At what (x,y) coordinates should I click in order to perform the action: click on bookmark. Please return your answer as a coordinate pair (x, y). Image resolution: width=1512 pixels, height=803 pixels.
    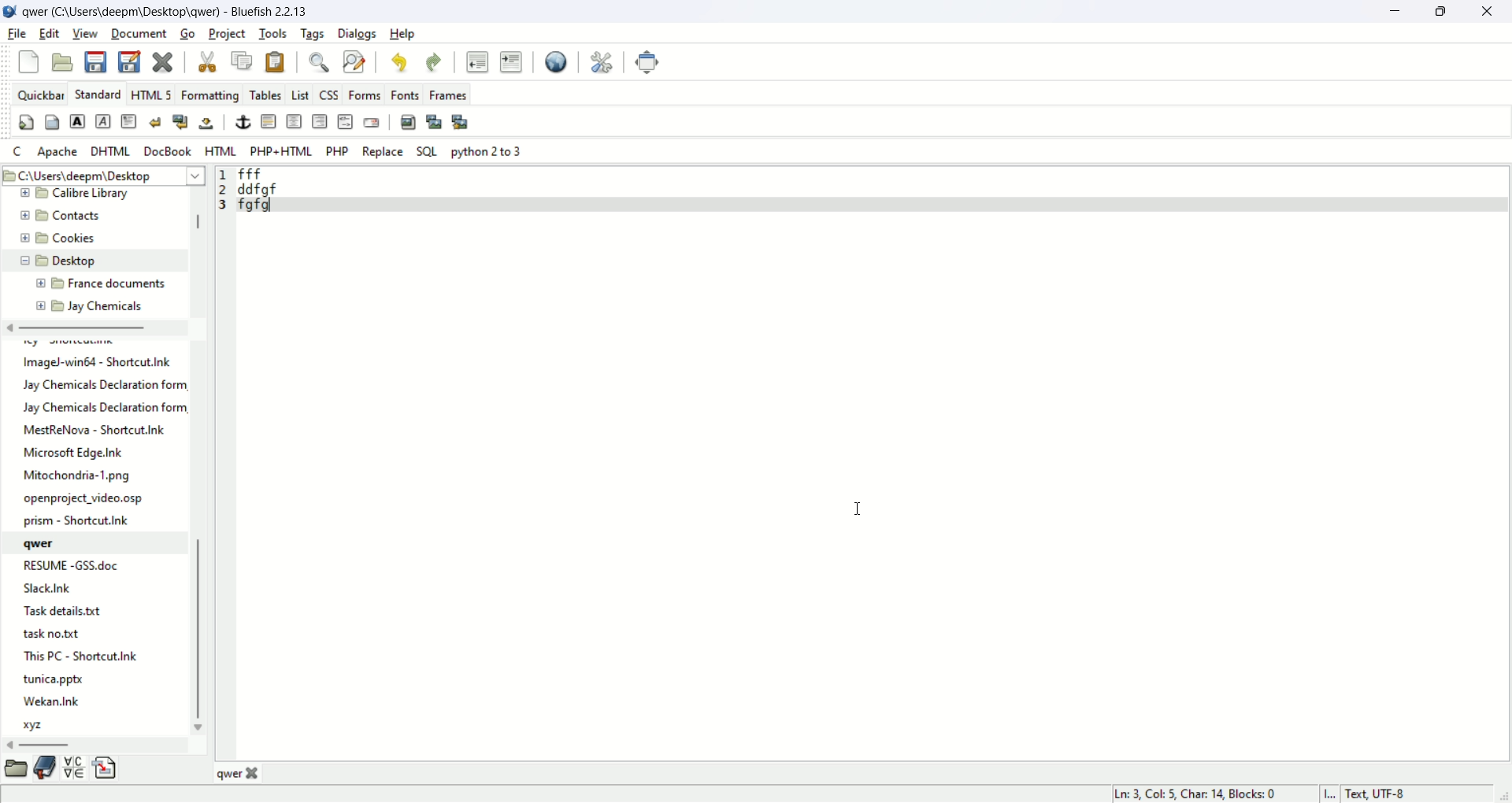
    Looking at the image, I should click on (45, 769).